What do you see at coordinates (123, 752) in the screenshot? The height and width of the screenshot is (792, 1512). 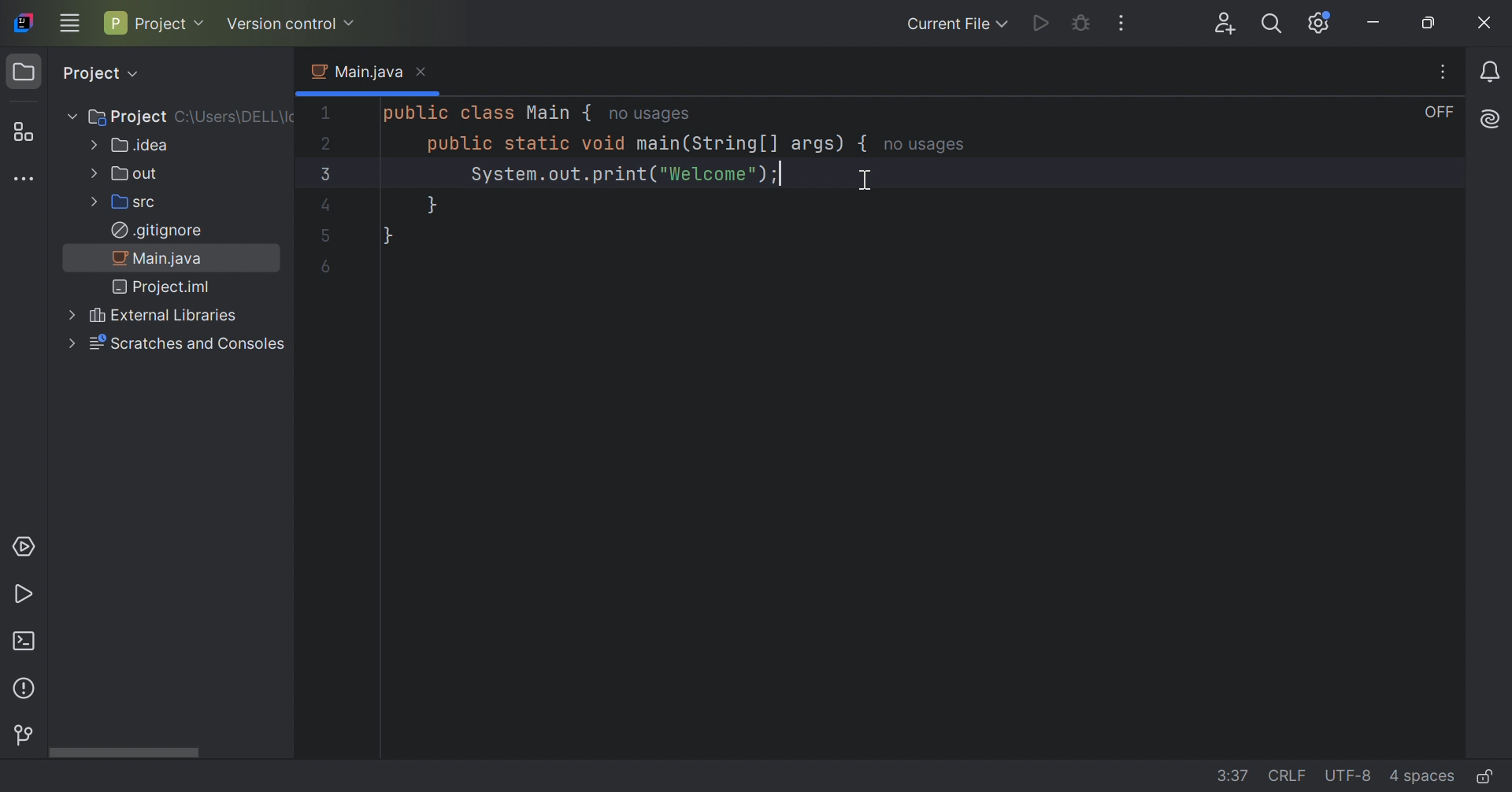 I see `Scroll bar` at bounding box center [123, 752].